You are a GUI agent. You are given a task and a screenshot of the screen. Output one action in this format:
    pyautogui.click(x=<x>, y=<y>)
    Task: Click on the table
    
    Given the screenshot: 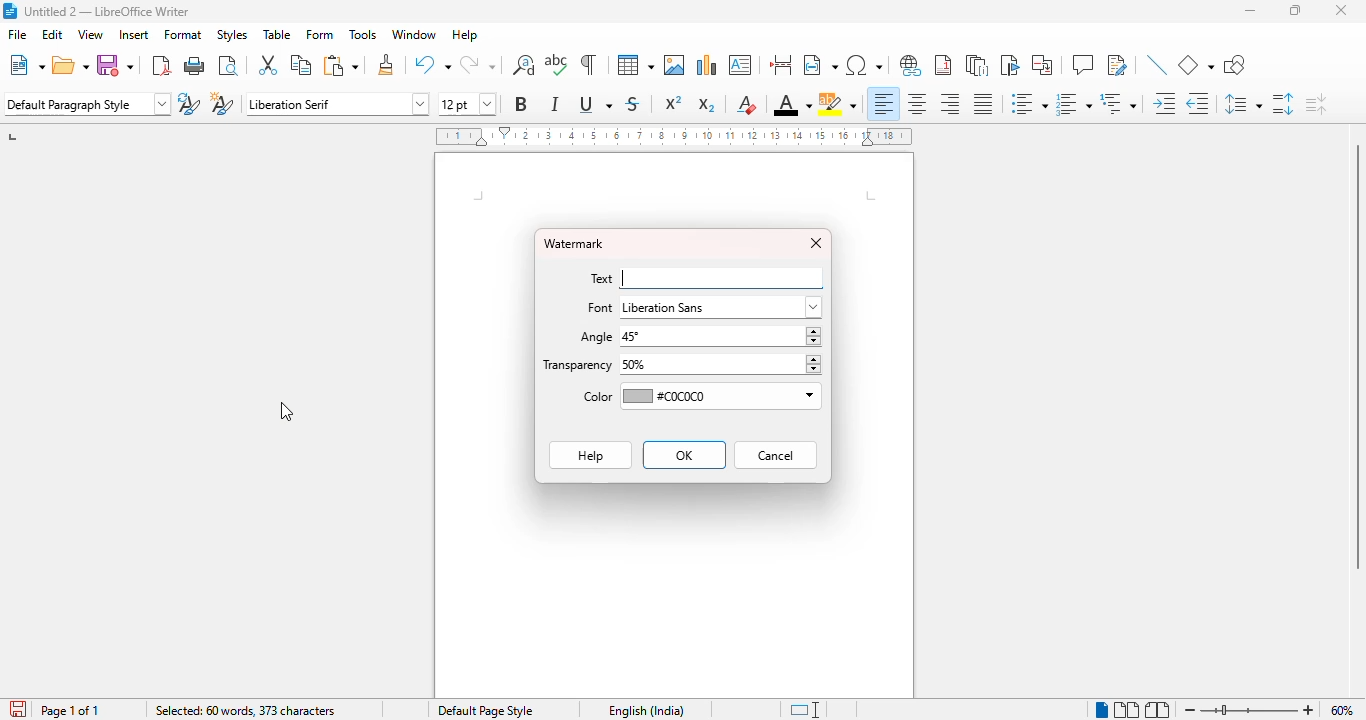 What is the action you would take?
    pyautogui.click(x=635, y=64)
    